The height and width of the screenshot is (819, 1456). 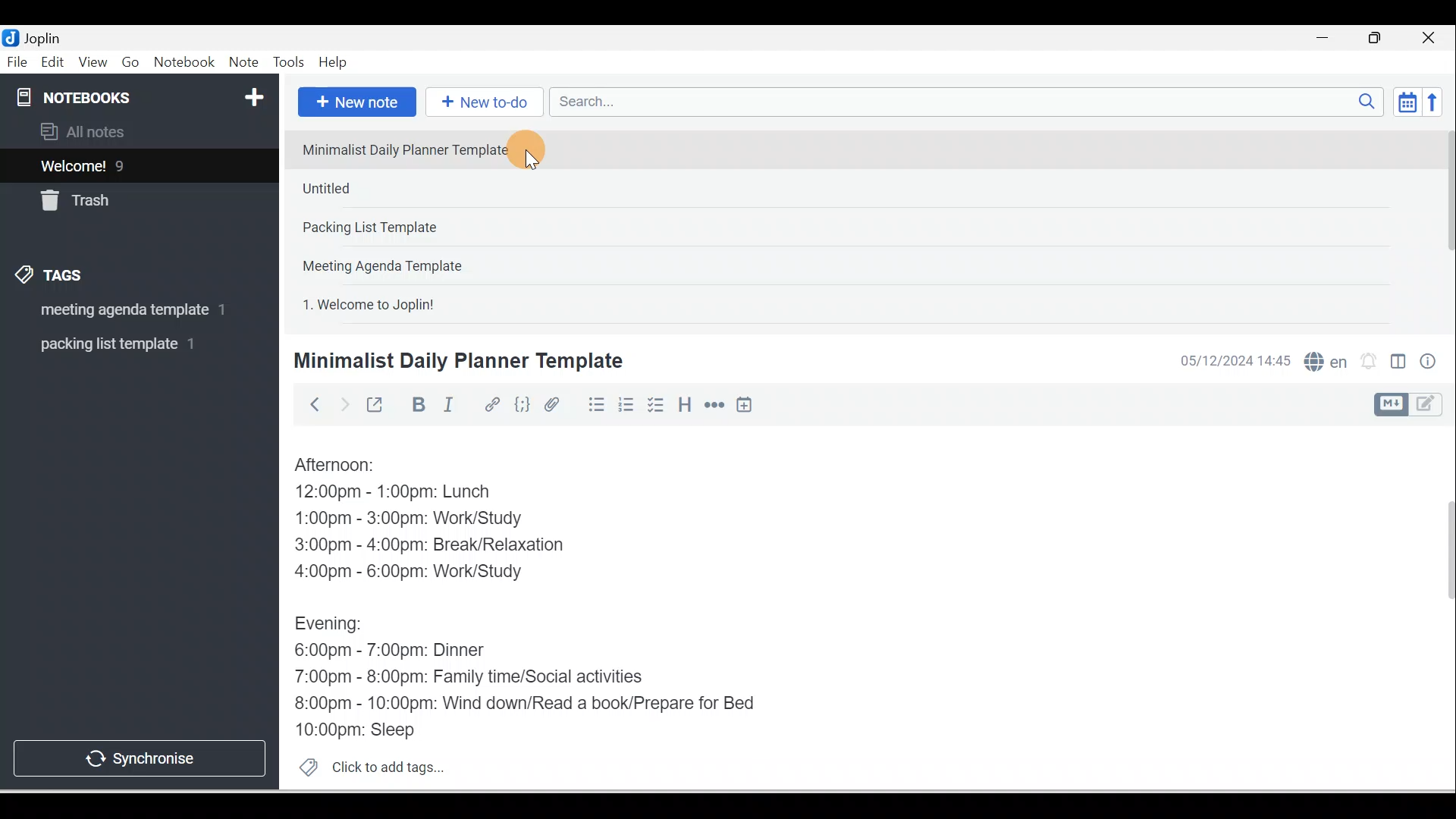 What do you see at coordinates (54, 63) in the screenshot?
I see `Edit` at bounding box center [54, 63].